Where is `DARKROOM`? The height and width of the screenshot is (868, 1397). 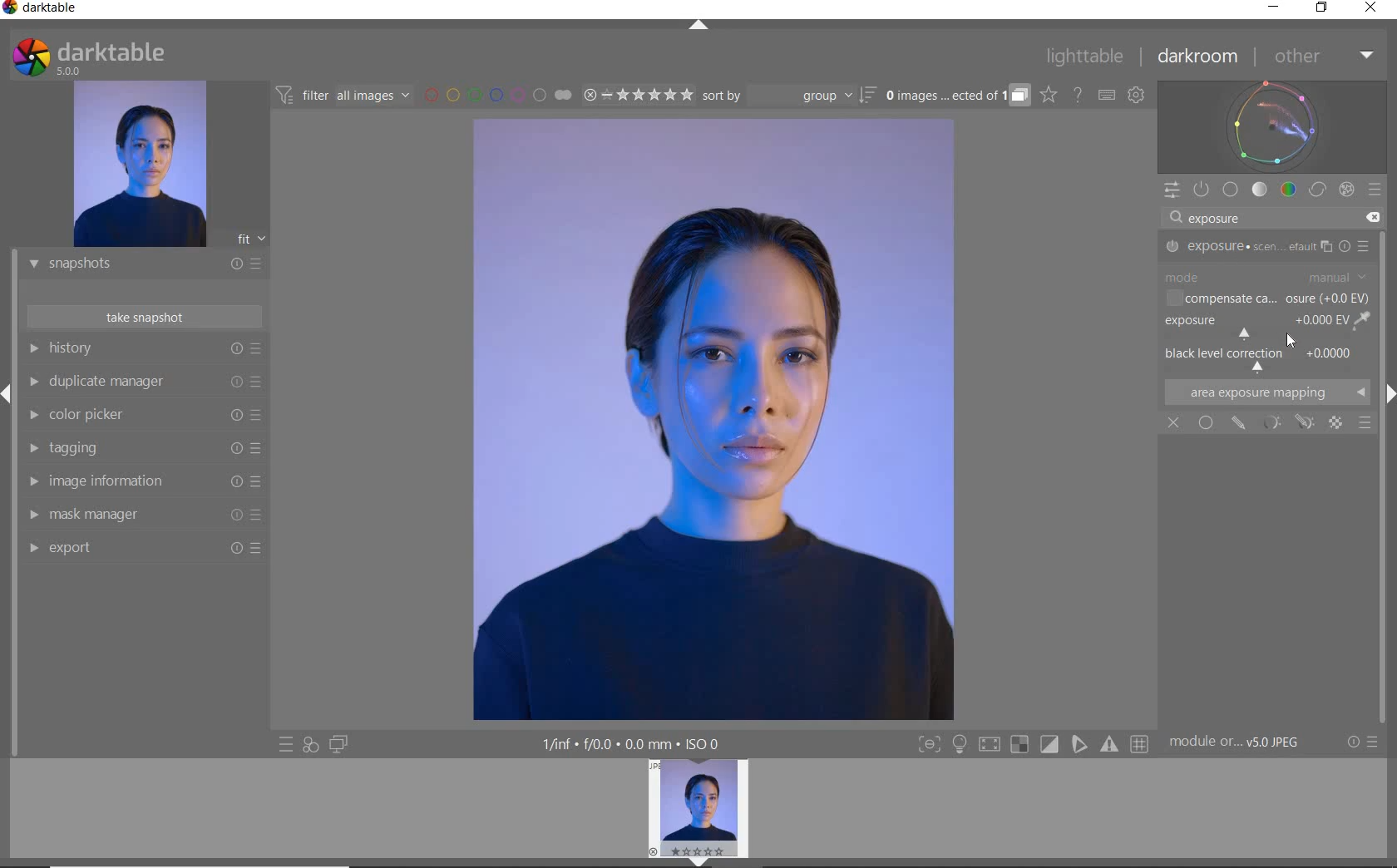
DARKROOM is located at coordinates (1198, 57).